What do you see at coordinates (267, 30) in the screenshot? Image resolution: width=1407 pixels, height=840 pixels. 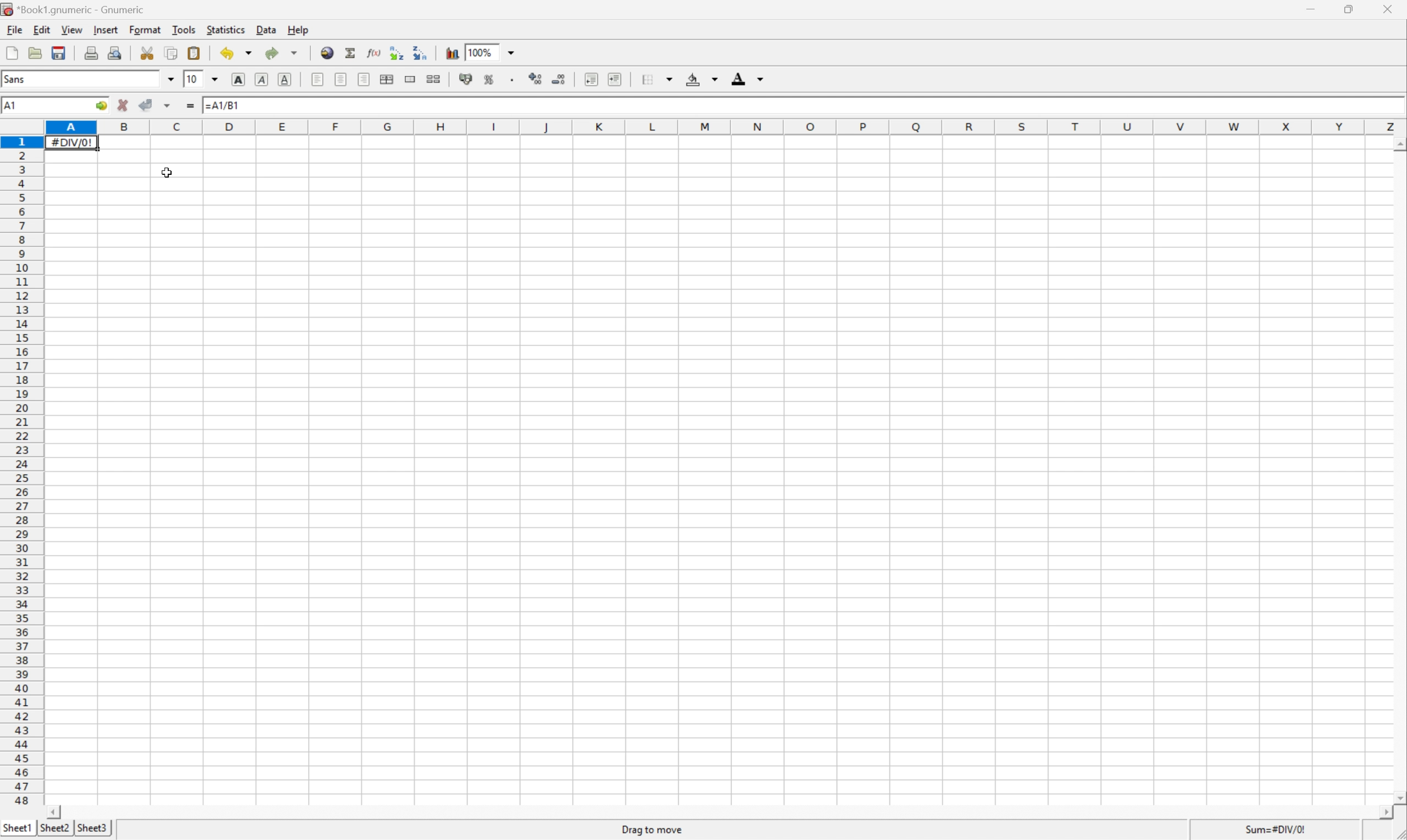 I see `Data` at bounding box center [267, 30].